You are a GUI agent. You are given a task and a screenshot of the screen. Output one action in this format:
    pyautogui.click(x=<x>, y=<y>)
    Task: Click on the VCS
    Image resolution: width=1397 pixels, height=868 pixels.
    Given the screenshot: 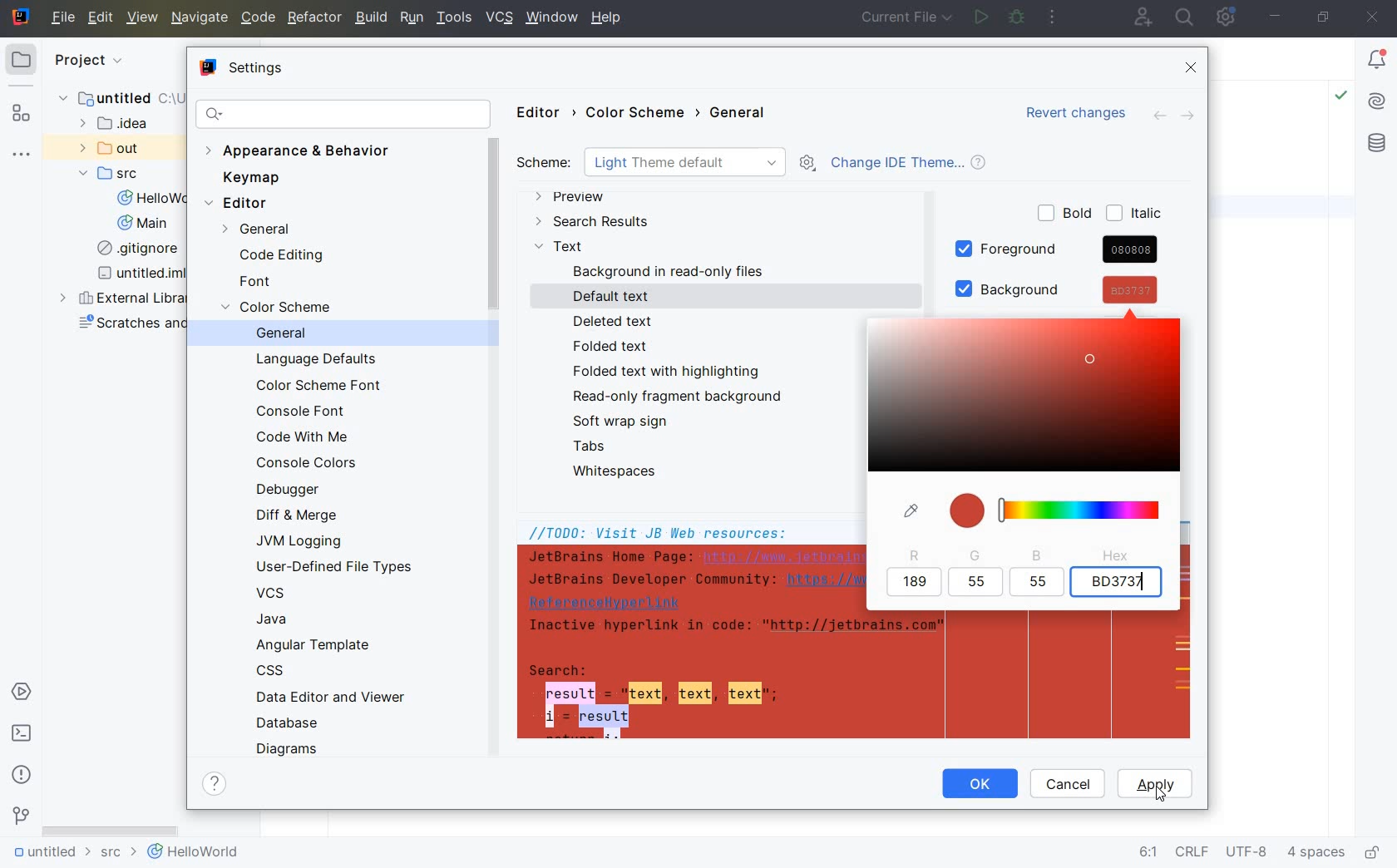 What is the action you would take?
    pyautogui.click(x=272, y=593)
    